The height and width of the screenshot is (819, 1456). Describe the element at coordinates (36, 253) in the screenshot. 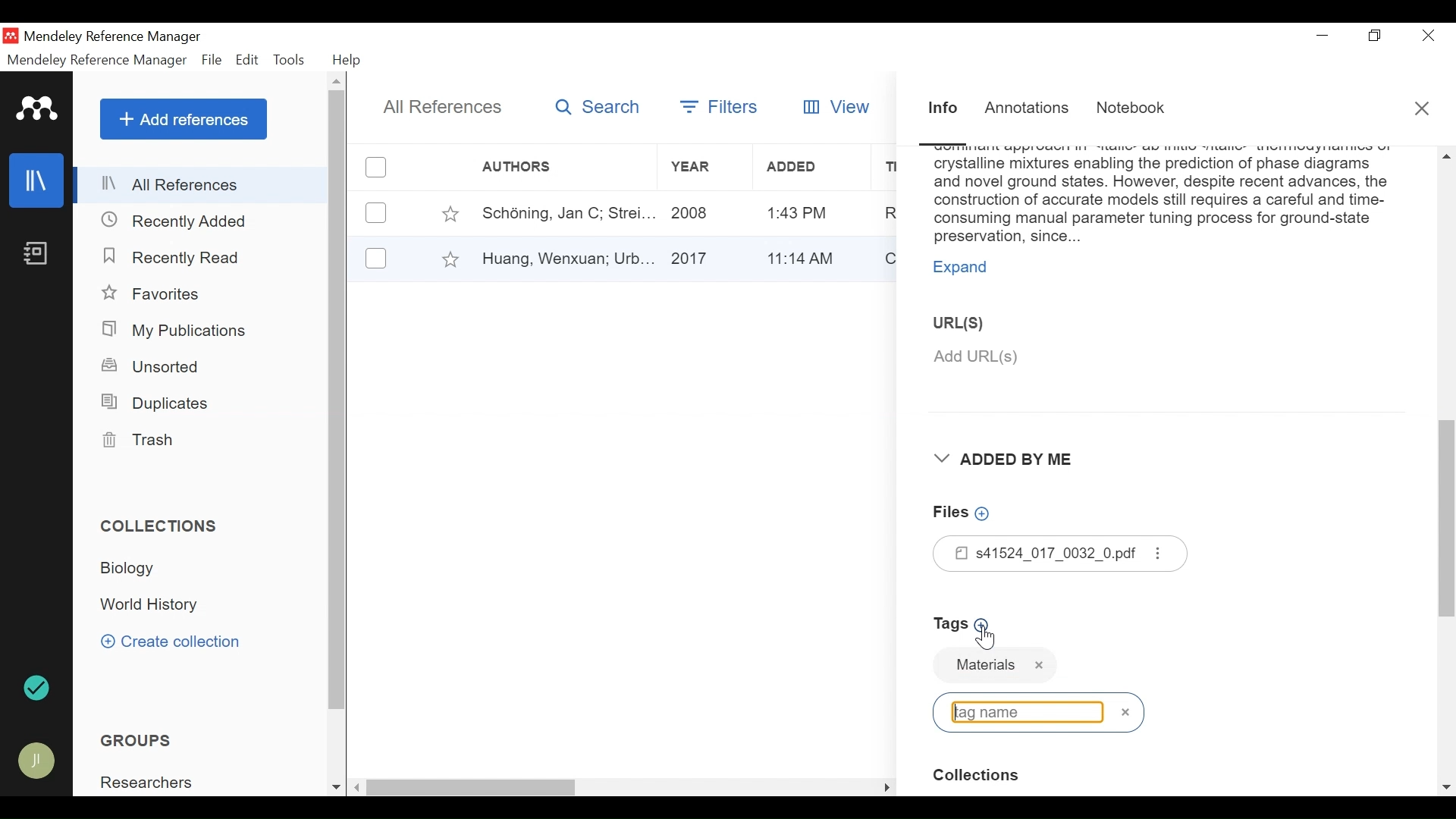

I see `Notebook` at that location.